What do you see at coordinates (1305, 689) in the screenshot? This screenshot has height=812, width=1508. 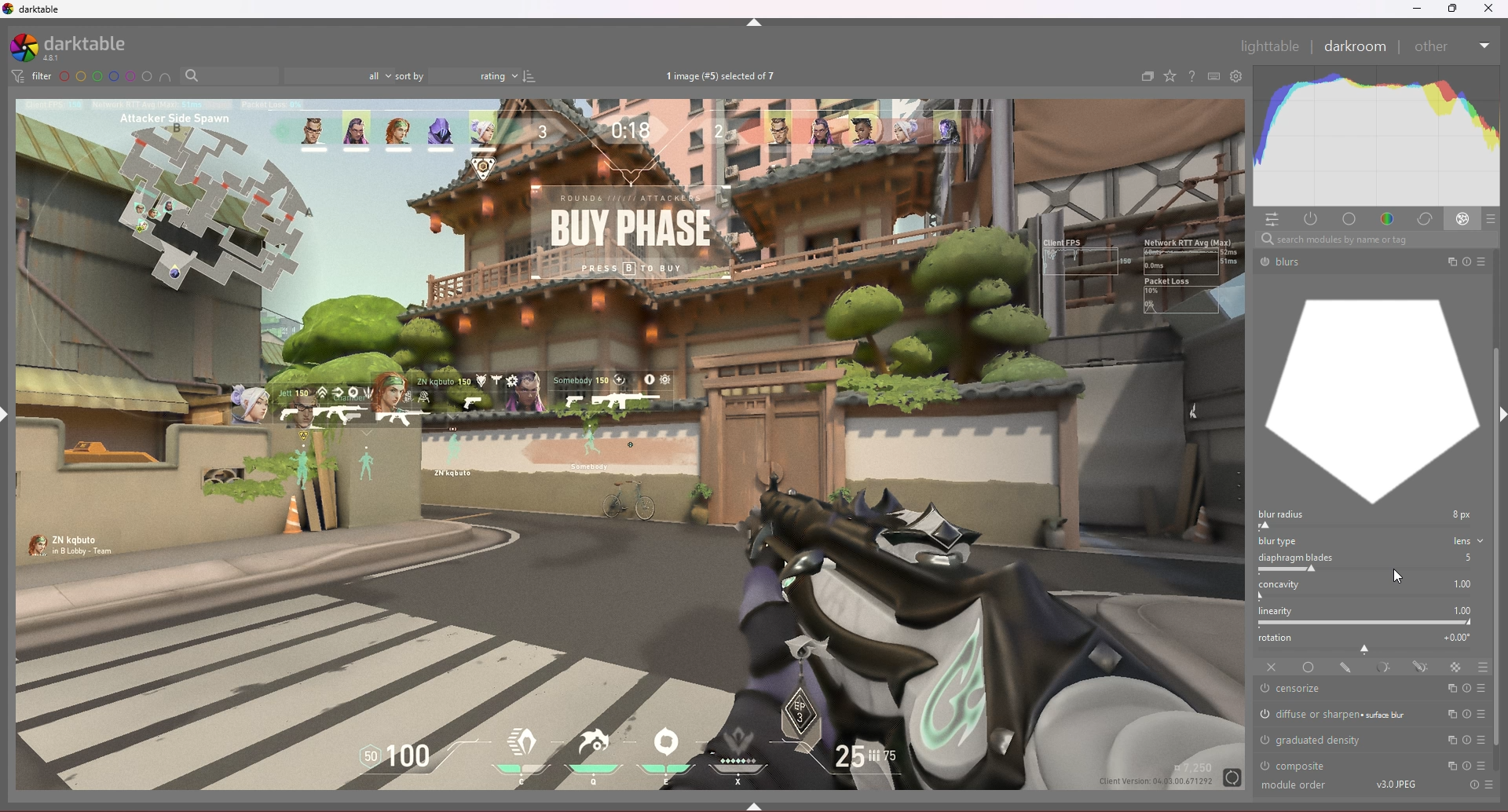 I see `censorize` at bounding box center [1305, 689].